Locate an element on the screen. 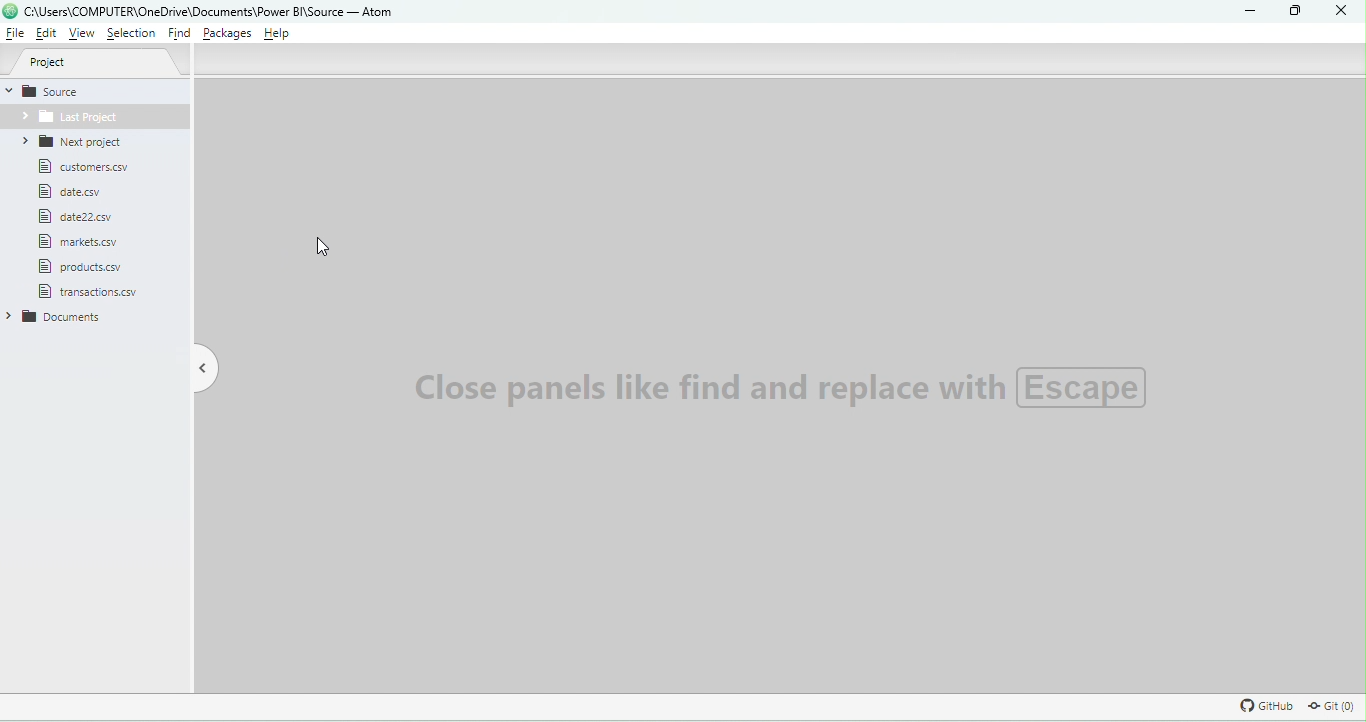 Image resolution: width=1366 pixels, height=722 pixels. Toggle tree view is located at coordinates (202, 366).